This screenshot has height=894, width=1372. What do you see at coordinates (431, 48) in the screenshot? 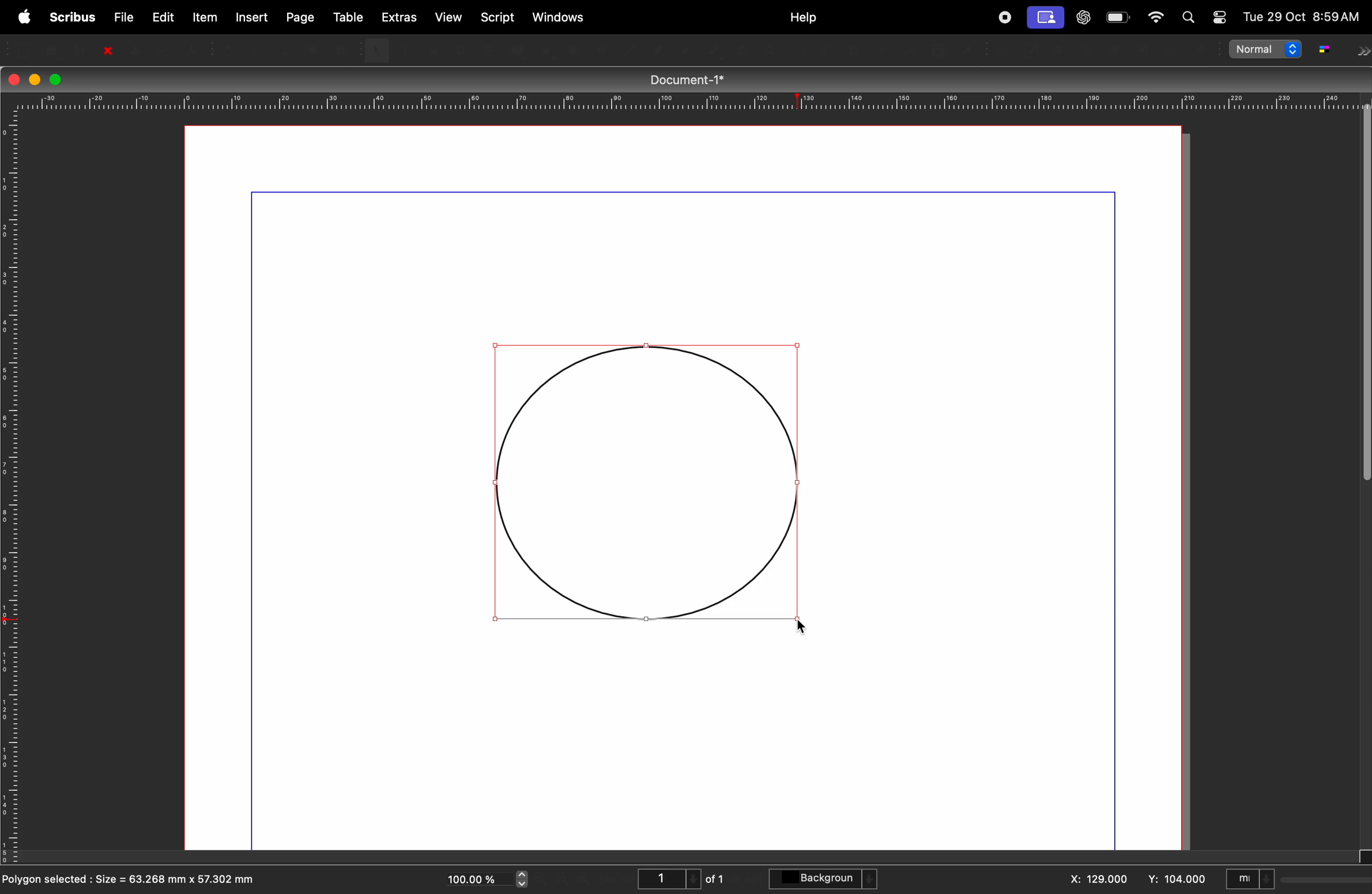
I see `Image frame` at bounding box center [431, 48].